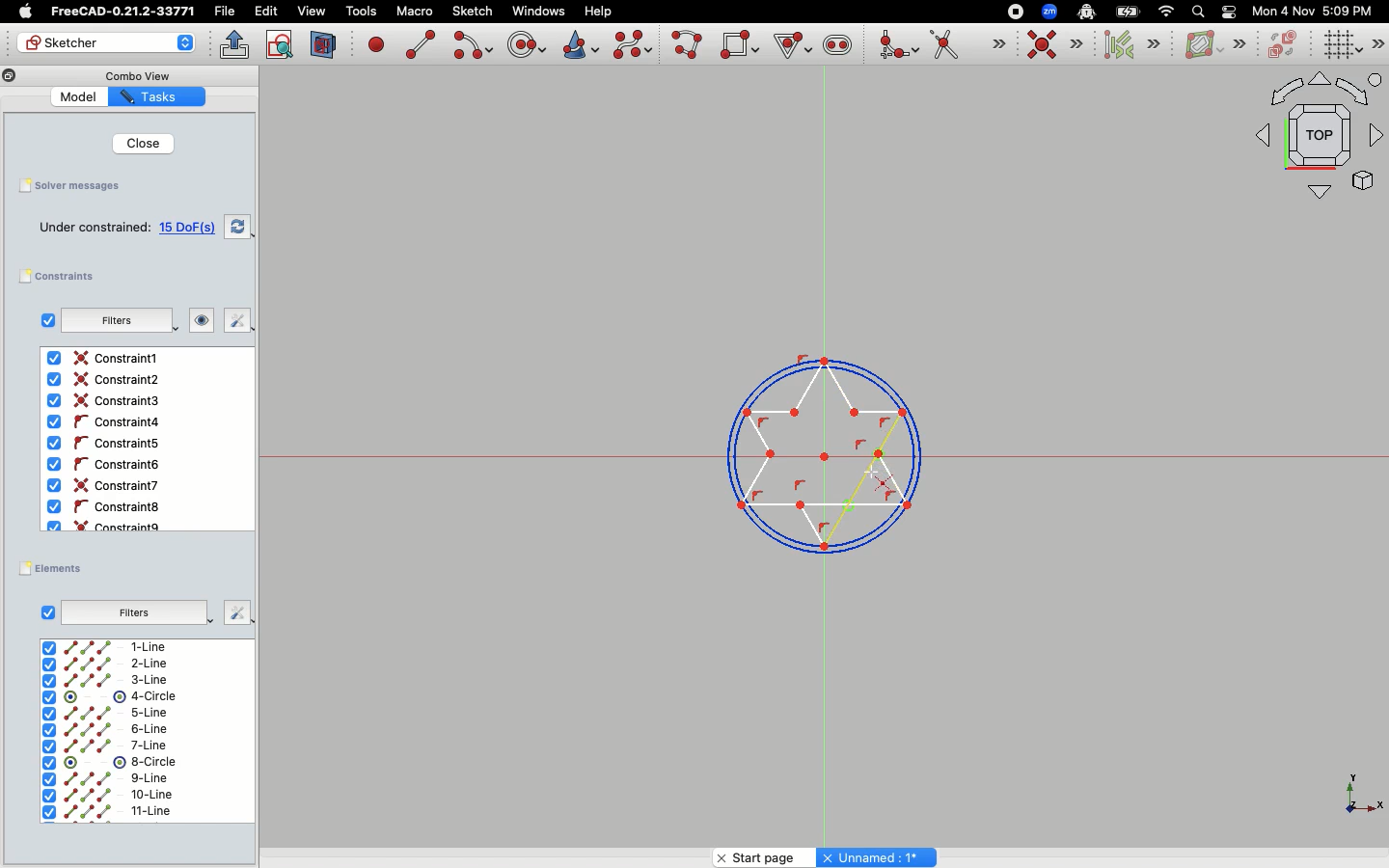 The image size is (1389, 868). What do you see at coordinates (194, 322) in the screenshot?
I see `Look` at bounding box center [194, 322].